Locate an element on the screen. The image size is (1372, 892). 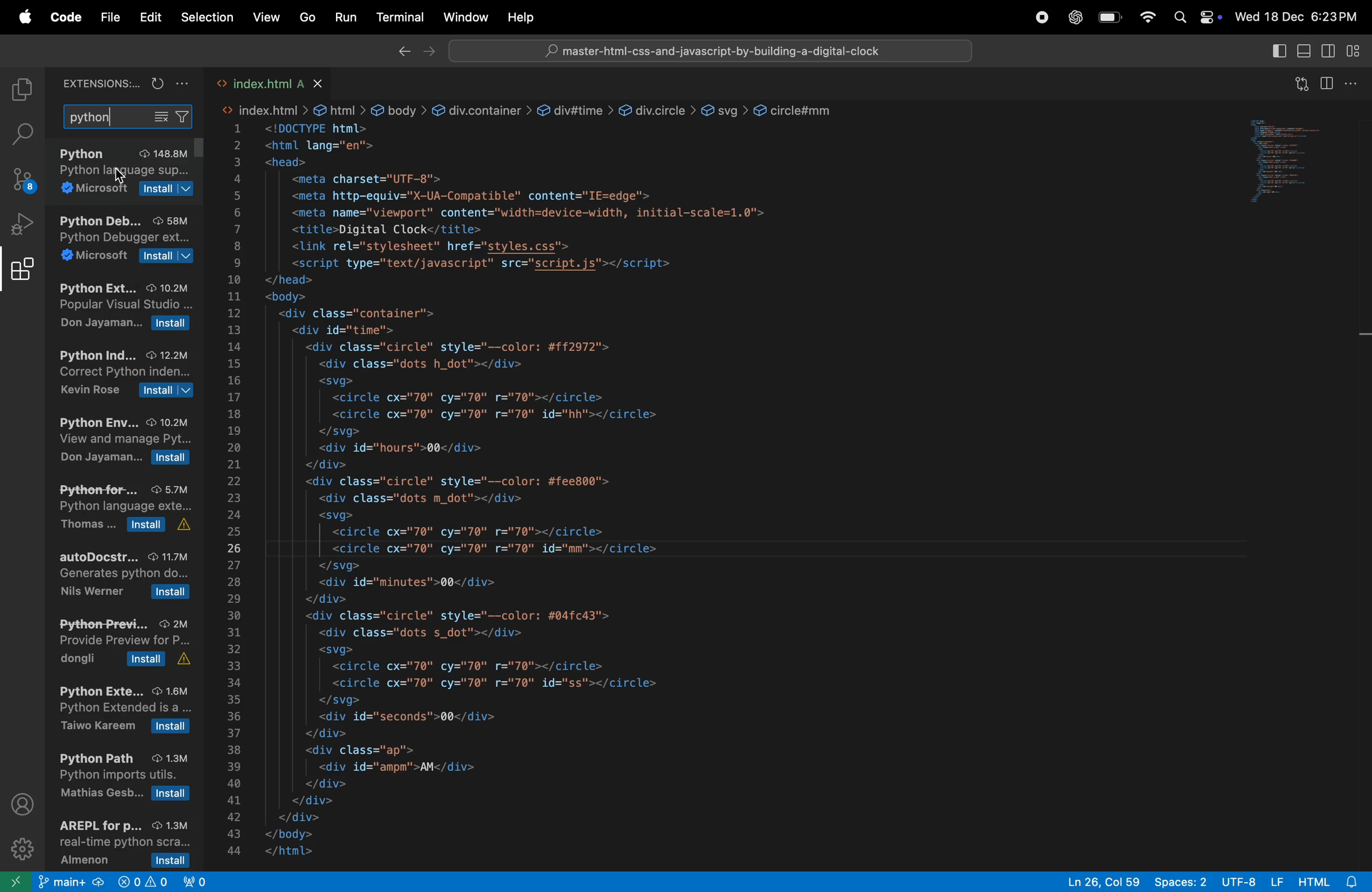
ln col 59 is located at coordinates (1095, 880).